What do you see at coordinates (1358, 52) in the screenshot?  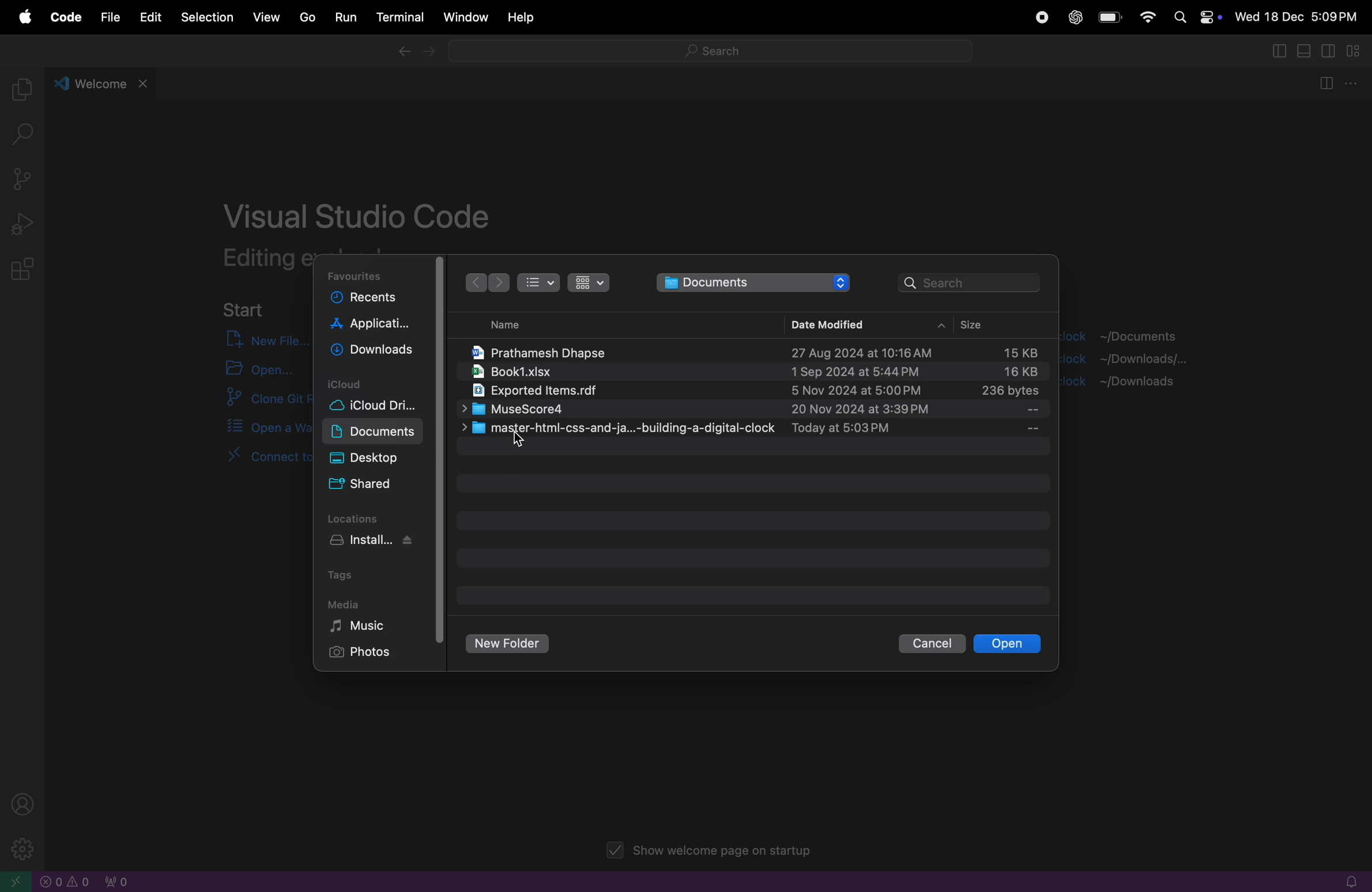 I see `customize layout` at bounding box center [1358, 52].